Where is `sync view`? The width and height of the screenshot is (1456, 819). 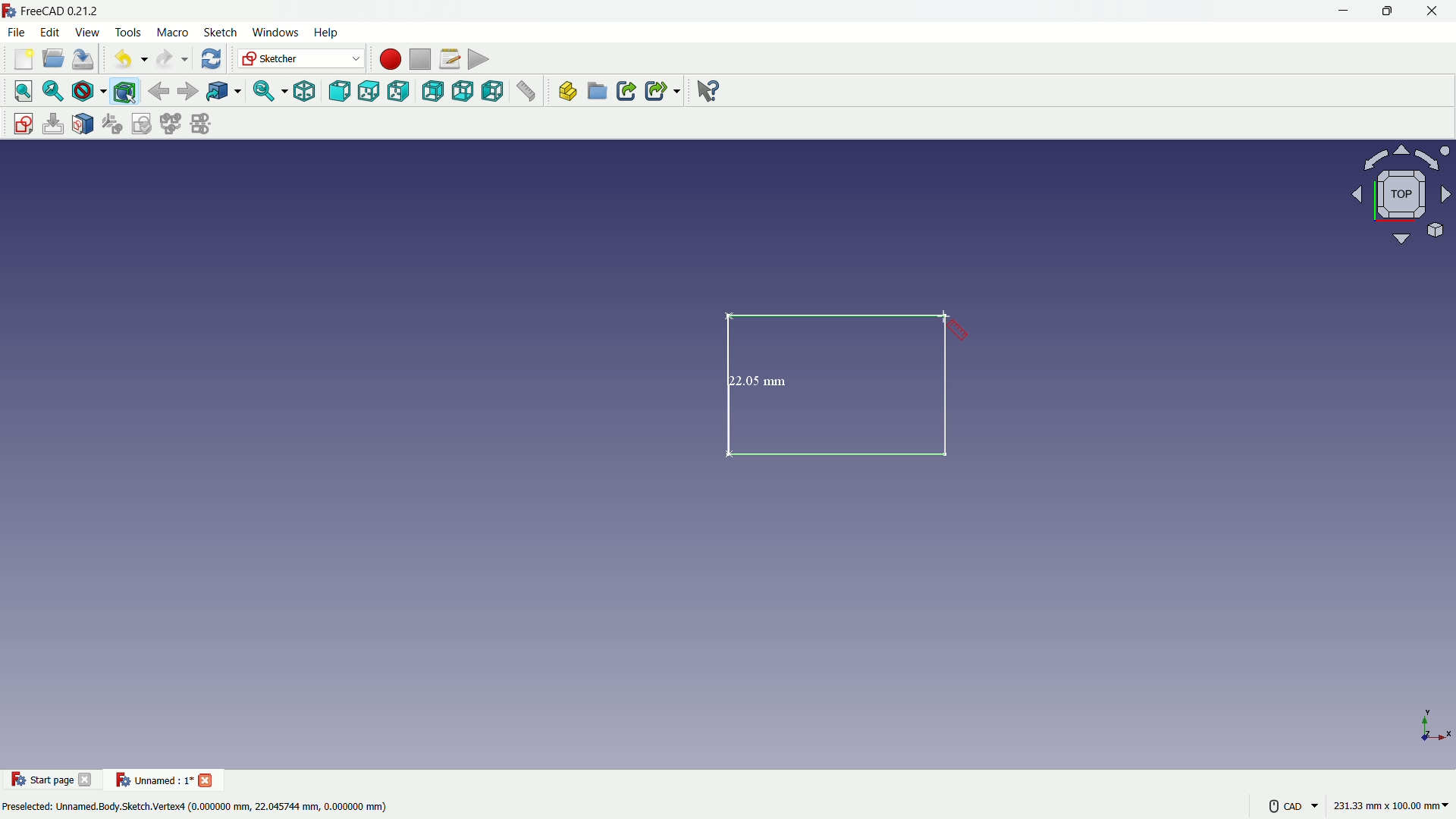 sync view is located at coordinates (265, 92).